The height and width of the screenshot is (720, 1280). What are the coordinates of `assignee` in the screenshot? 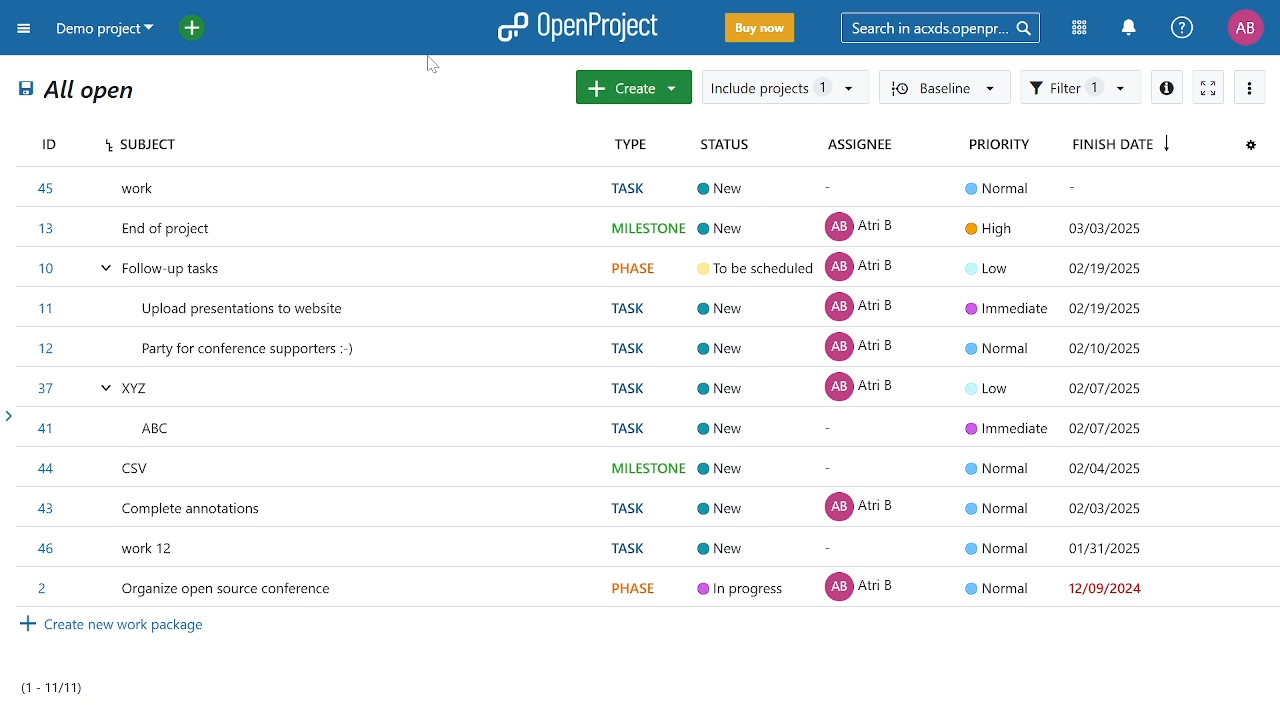 It's located at (859, 145).